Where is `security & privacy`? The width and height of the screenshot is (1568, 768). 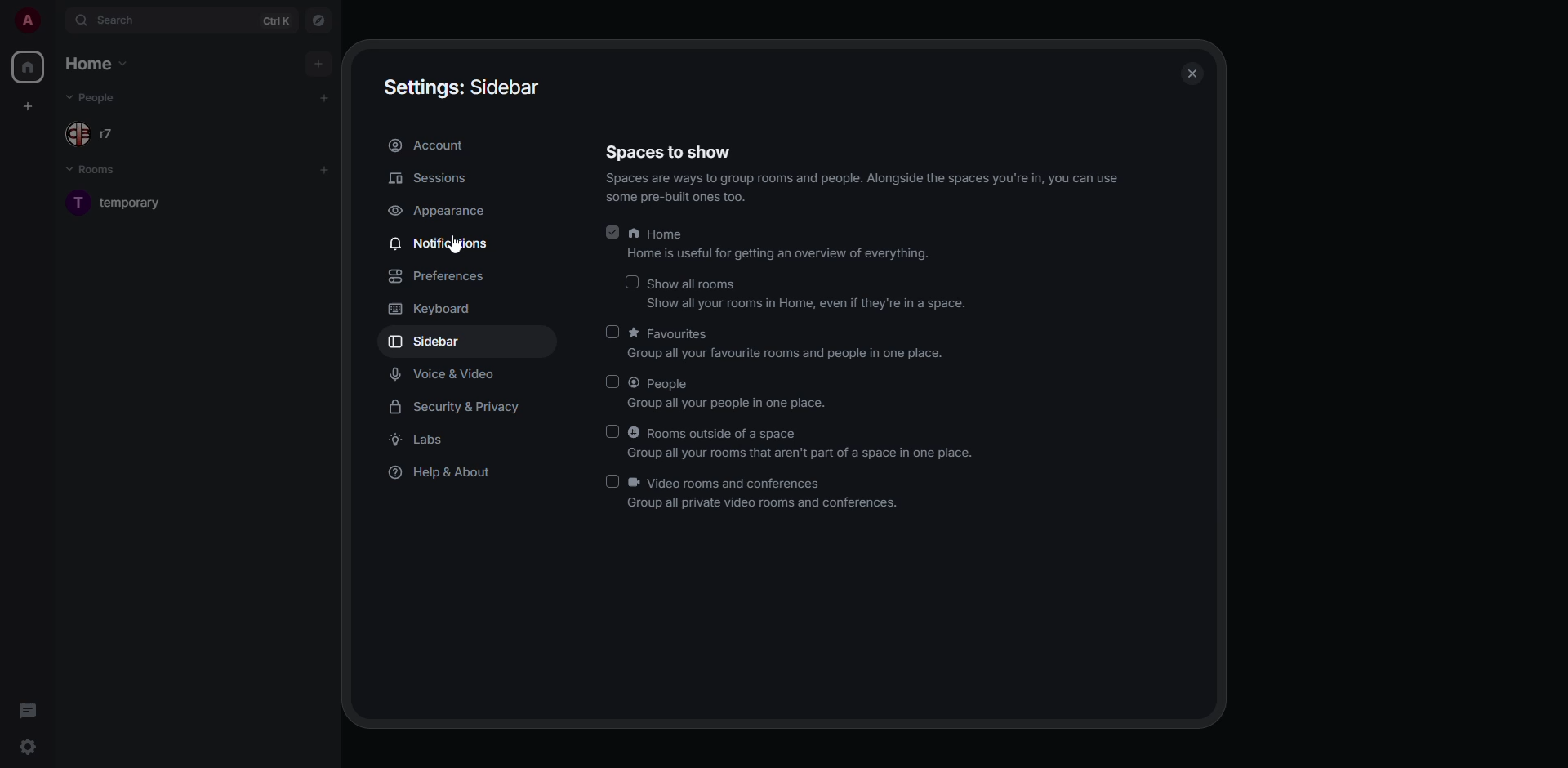 security & privacy is located at coordinates (461, 405).